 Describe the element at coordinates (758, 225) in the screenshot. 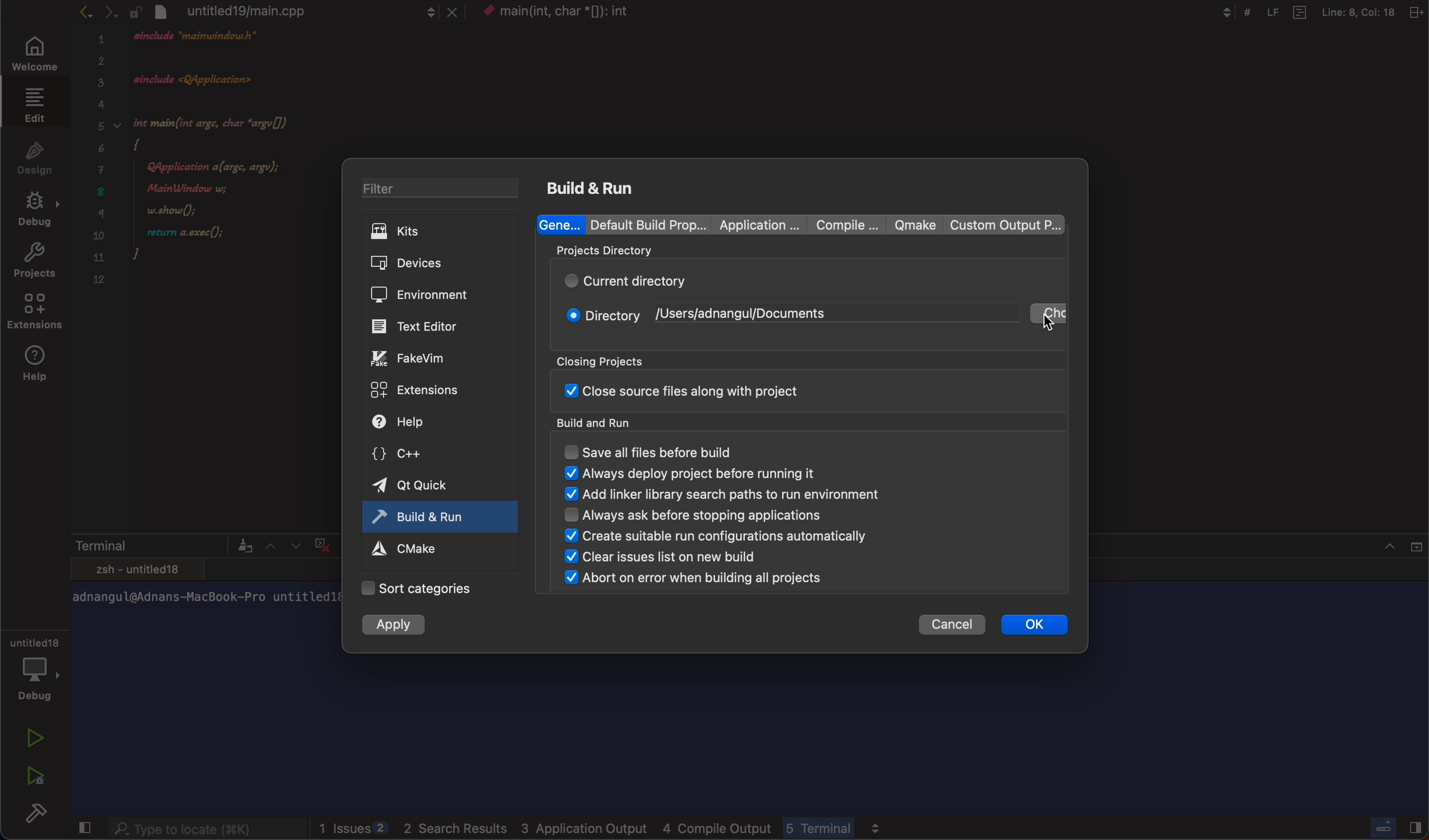

I see `Application ` at that location.